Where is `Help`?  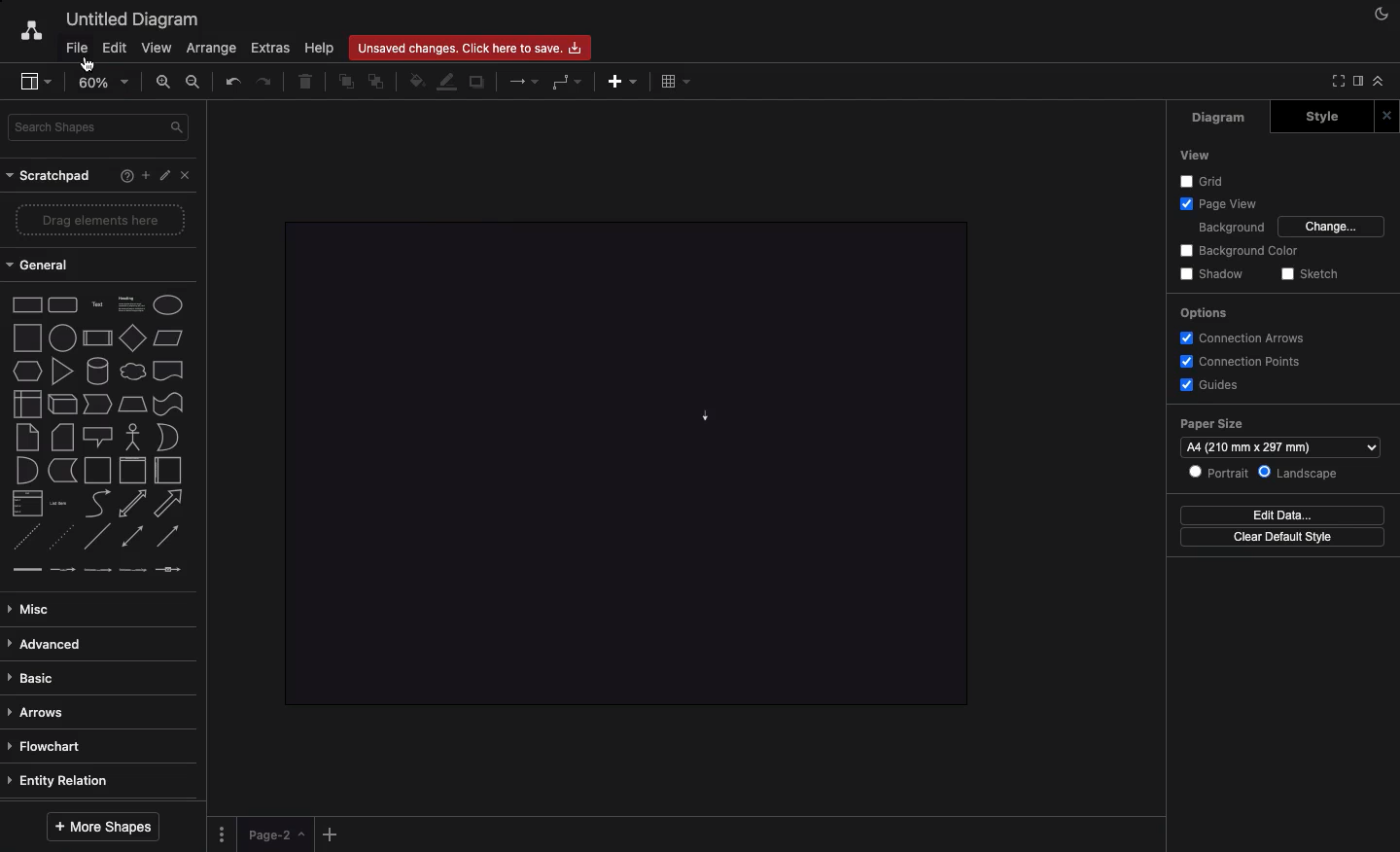
Help is located at coordinates (322, 48).